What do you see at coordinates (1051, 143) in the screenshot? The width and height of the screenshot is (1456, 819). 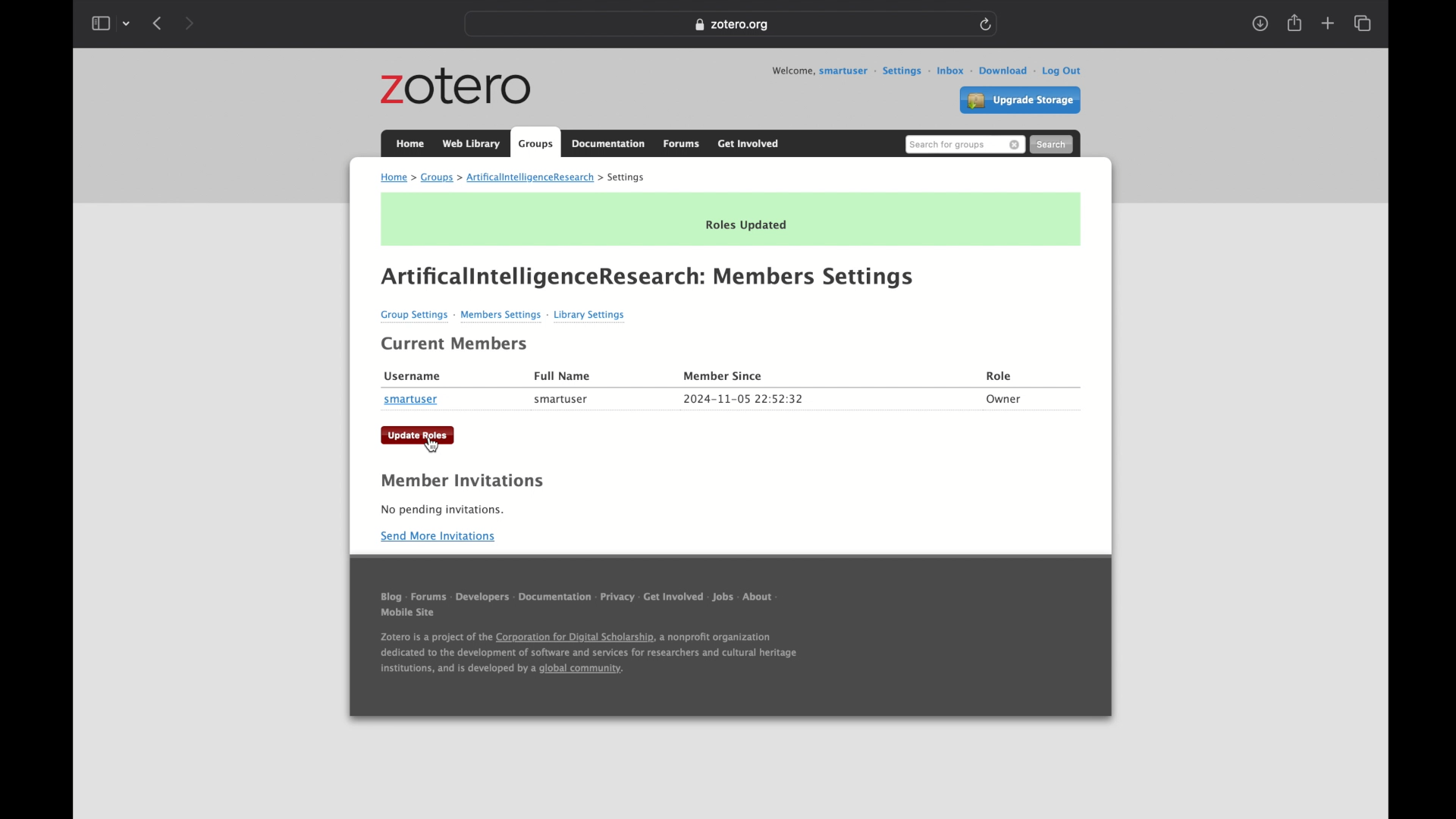 I see `search` at bounding box center [1051, 143].